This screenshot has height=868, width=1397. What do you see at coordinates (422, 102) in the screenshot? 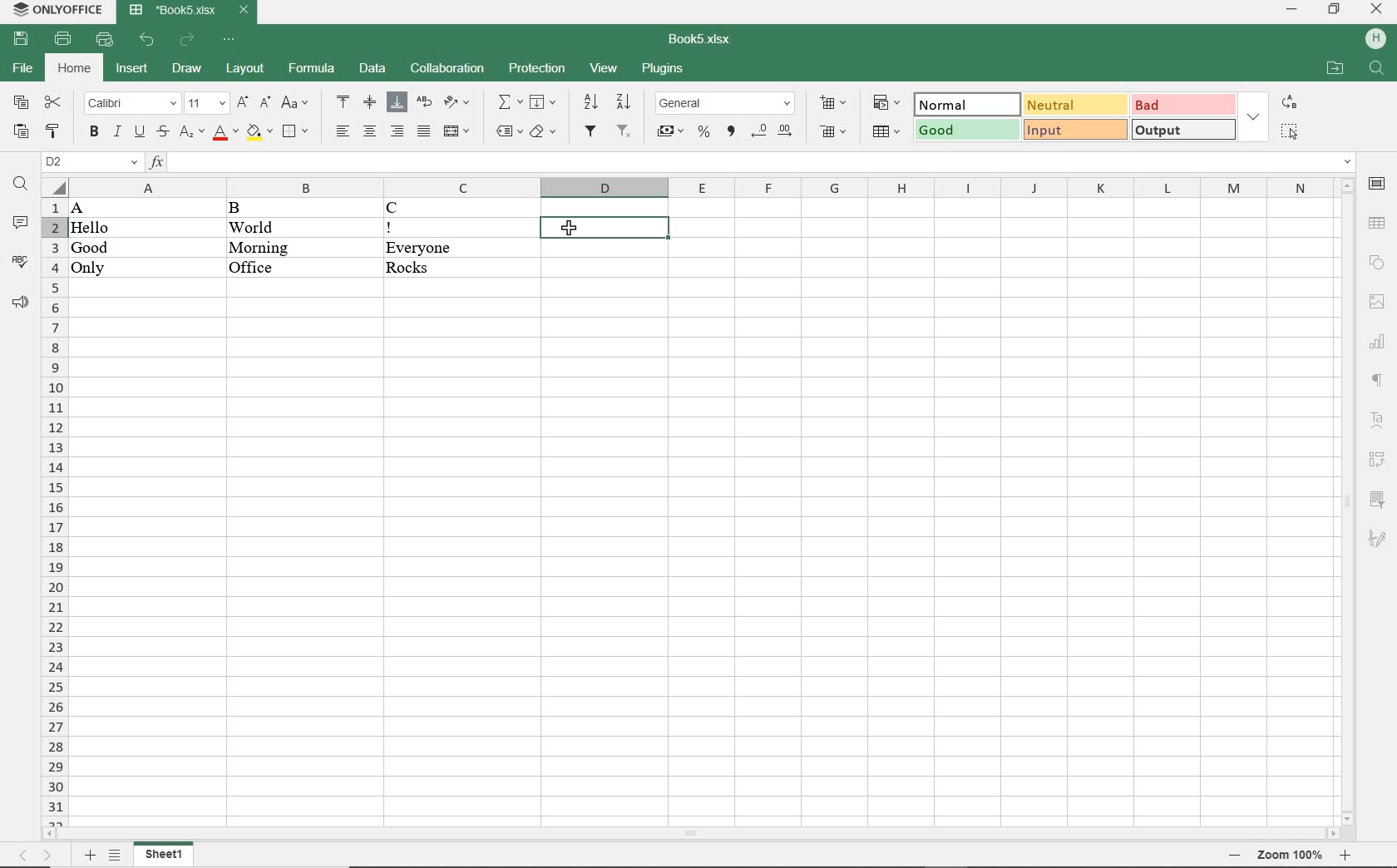
I see `WRAP TEXT` at bounding box center [422, 102].